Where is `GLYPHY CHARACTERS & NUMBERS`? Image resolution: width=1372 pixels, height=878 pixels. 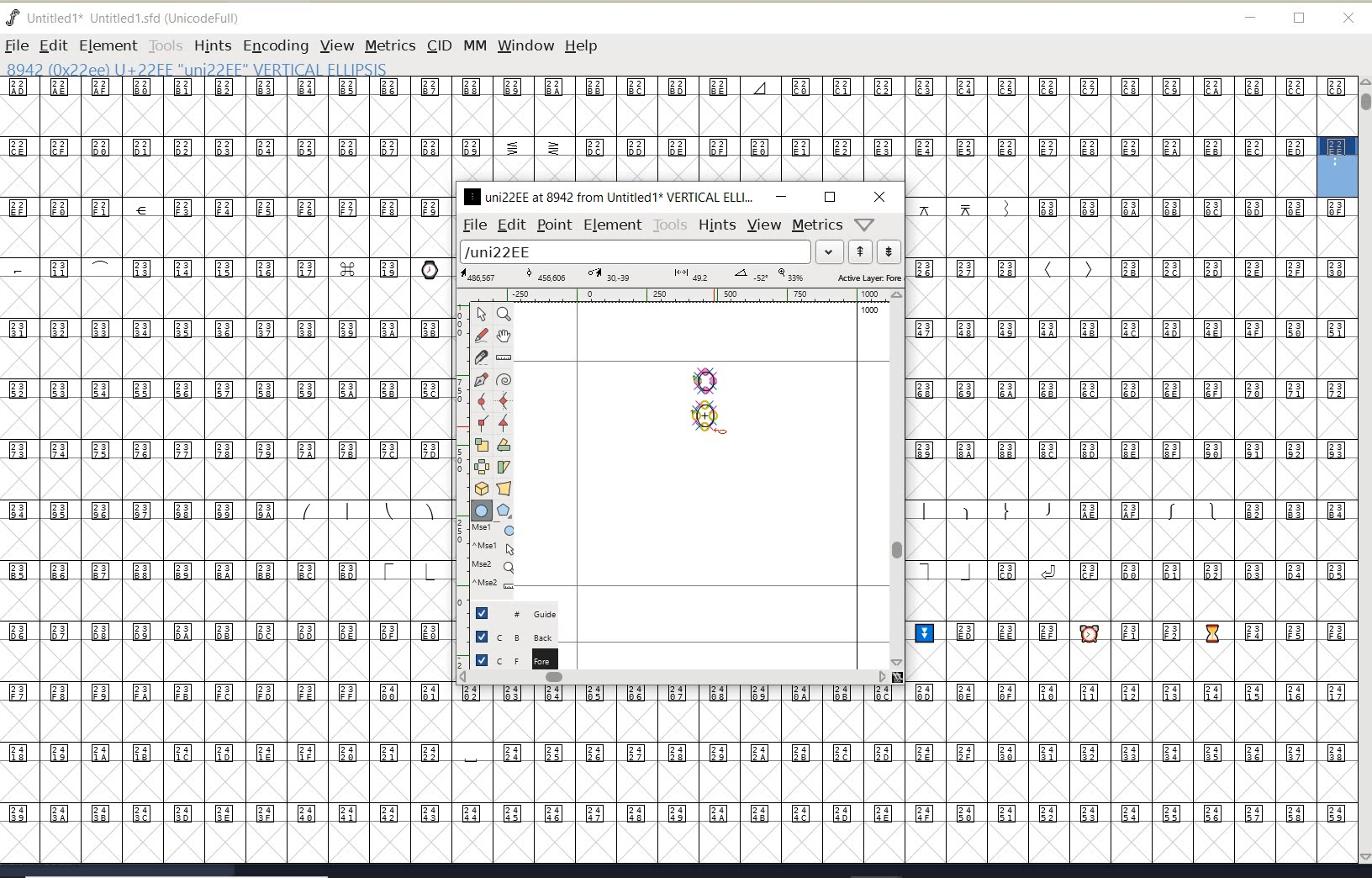 GLYPHY CHARACTERS & NUMBERS is located at coordinates (223, 431).